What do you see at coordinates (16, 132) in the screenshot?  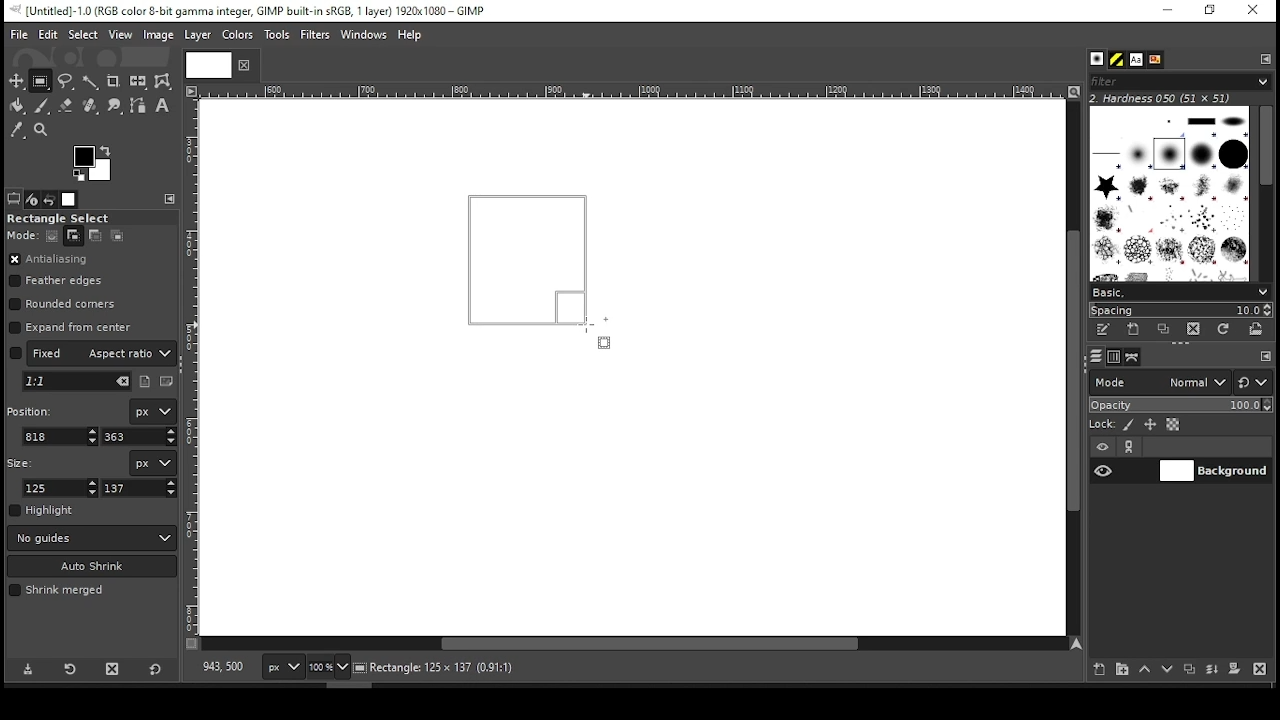 I see `color picker tool` at bounding box center [16, 132].